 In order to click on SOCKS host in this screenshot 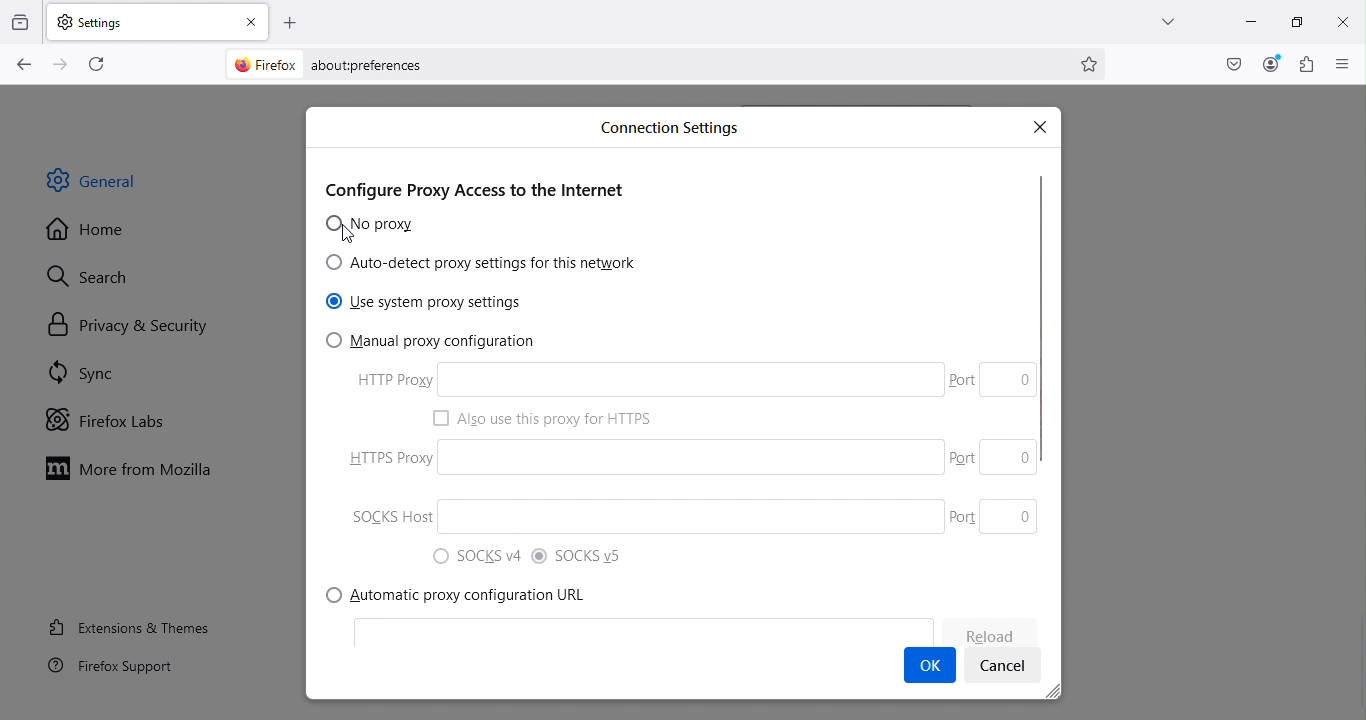, I will do `click(690, 518)`.